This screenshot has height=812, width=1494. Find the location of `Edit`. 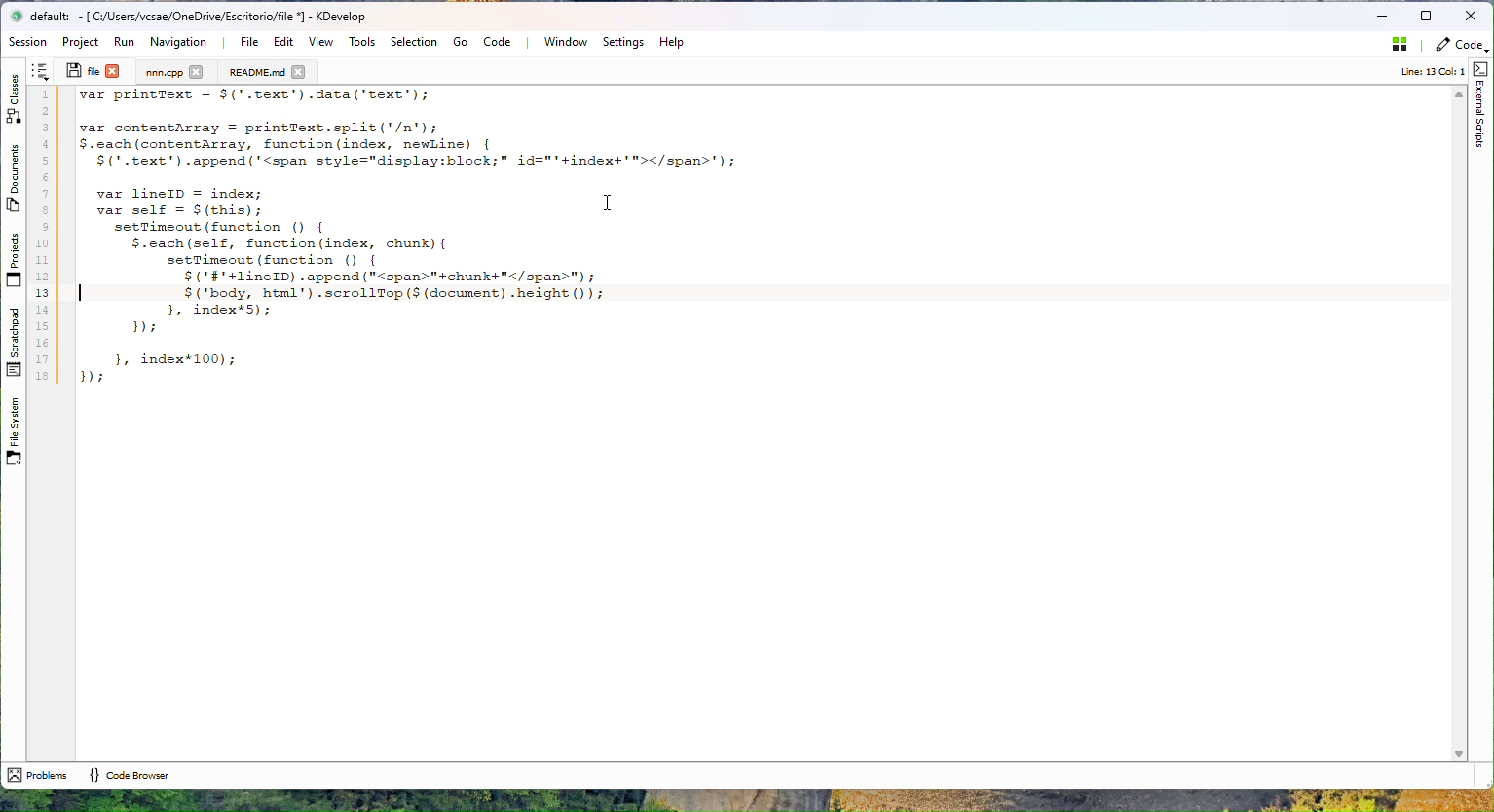

Edit is located at coordinates (280, 42).